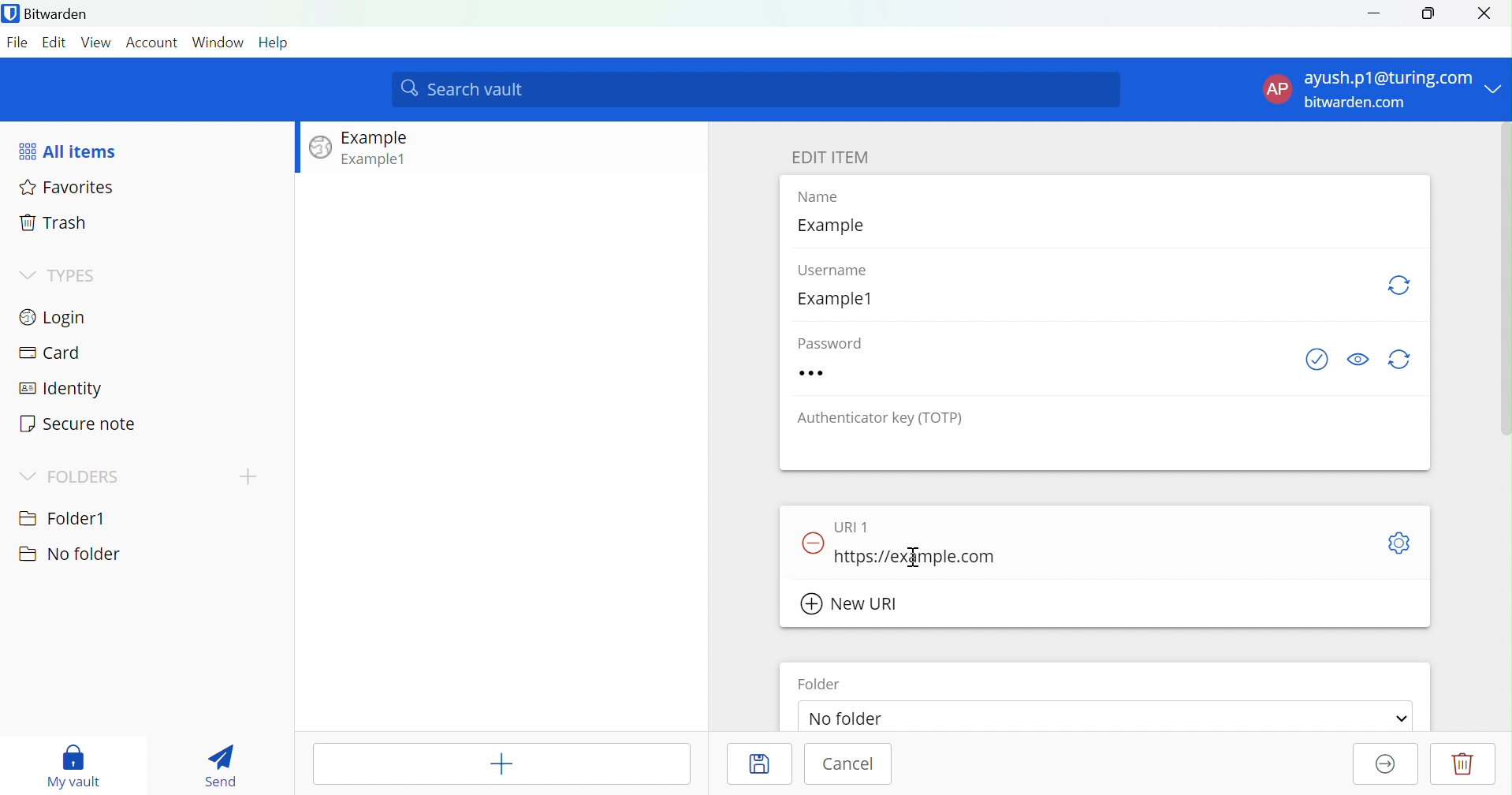 The width and height of the screenshot is (1512, 795). I want to click on No folder, so click(69, 554).